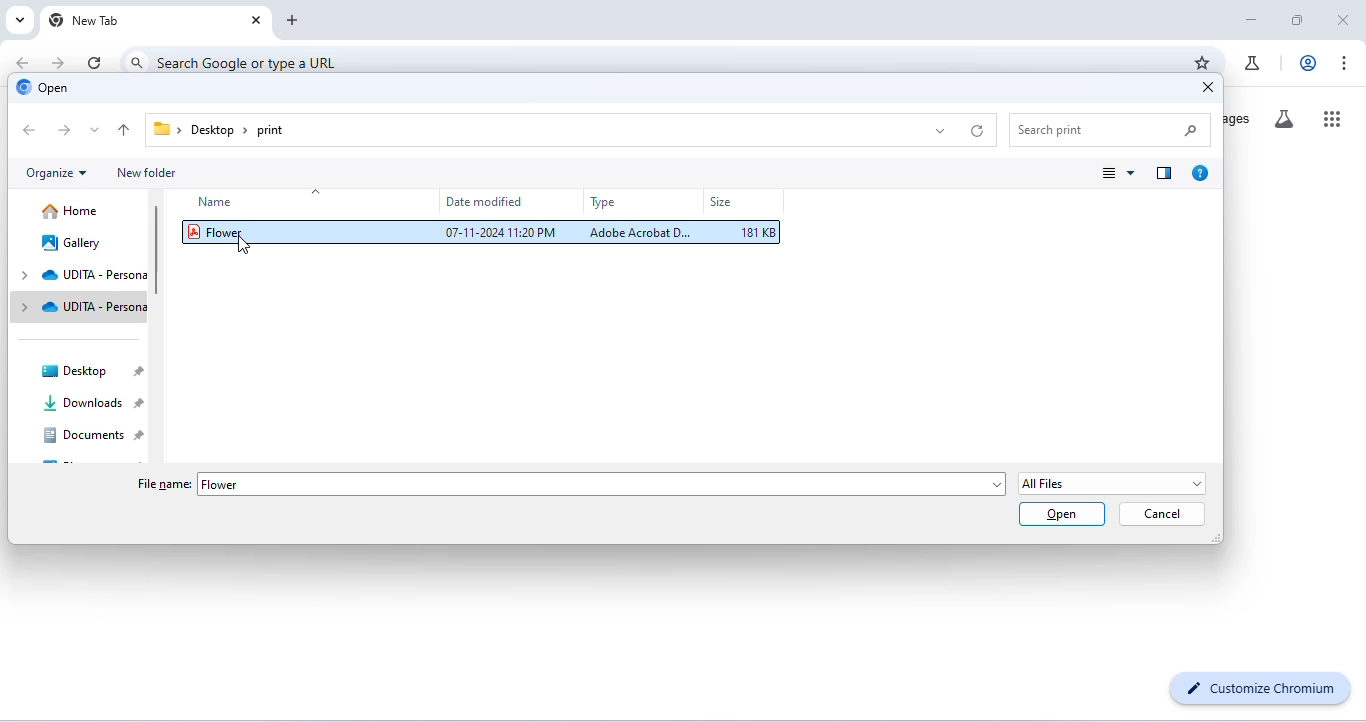 The width and height of the screenshot is (1366, 722). What do you see at coordinates (126, 130) in the screenshot?
I see `up to previous folder` at bounding box center [126, 130].